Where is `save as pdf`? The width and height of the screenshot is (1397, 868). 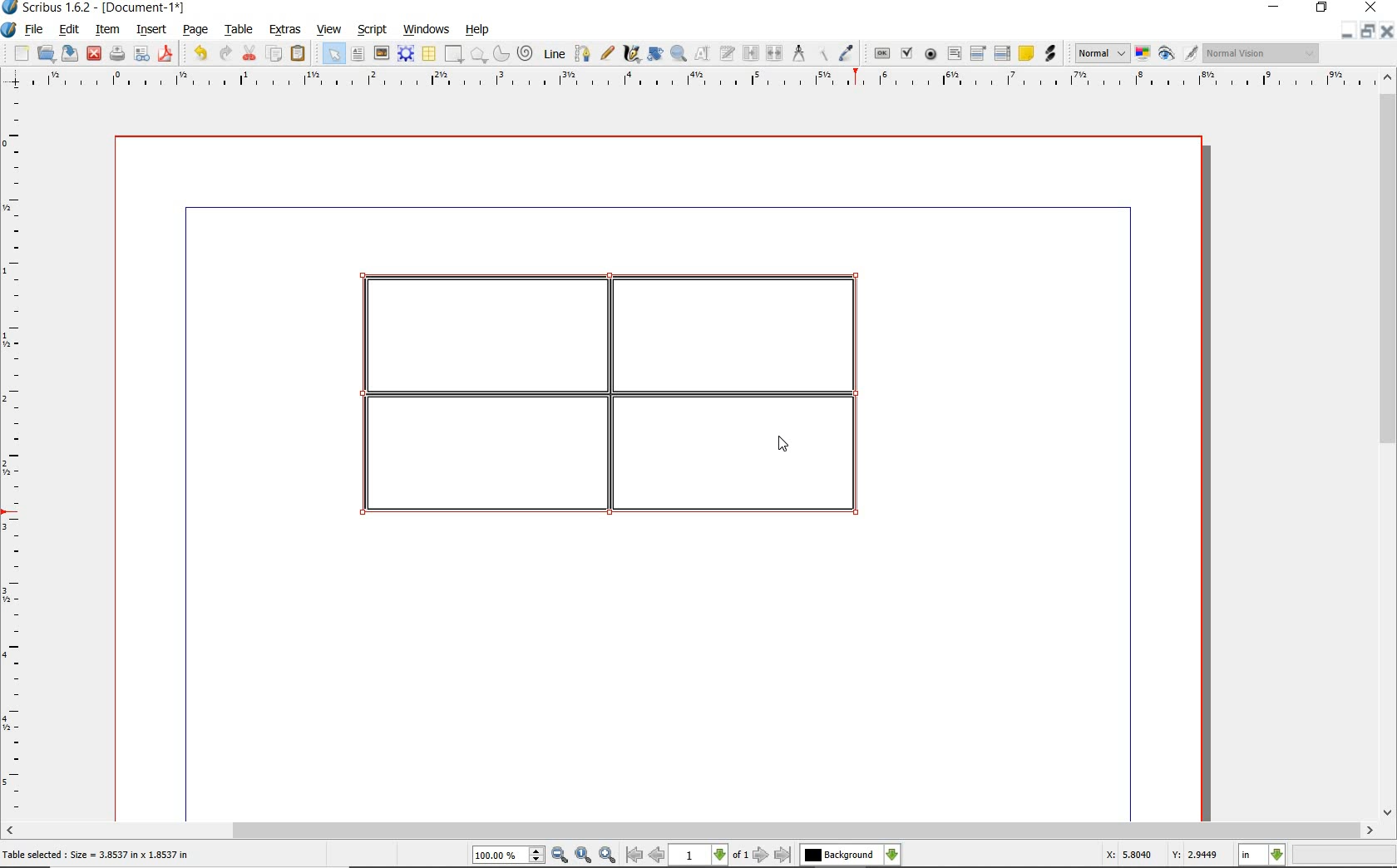
save as pdf is located at coordinates (165, 53).